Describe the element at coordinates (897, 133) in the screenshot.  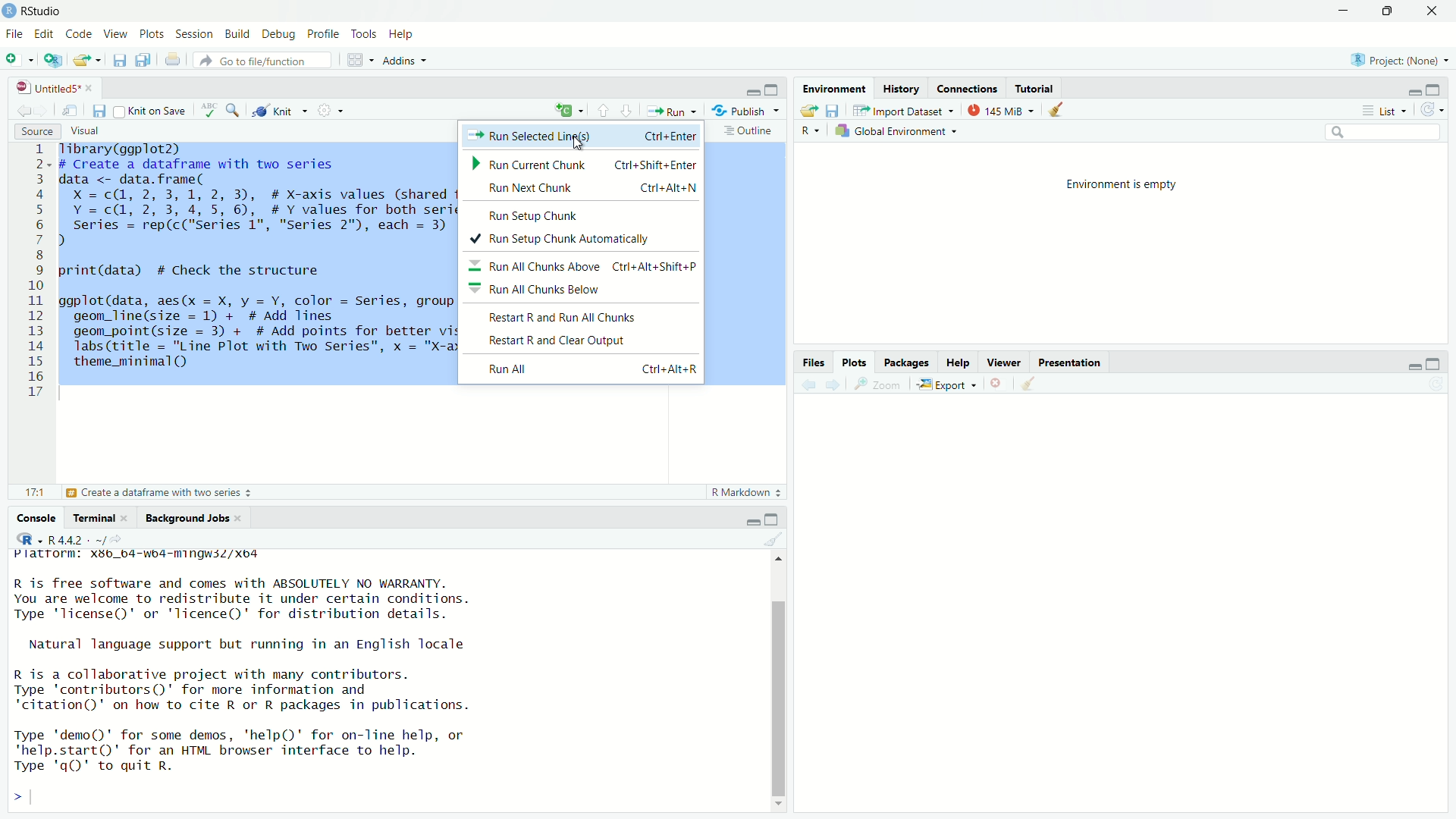
I see `Global Enviornment` at that location.